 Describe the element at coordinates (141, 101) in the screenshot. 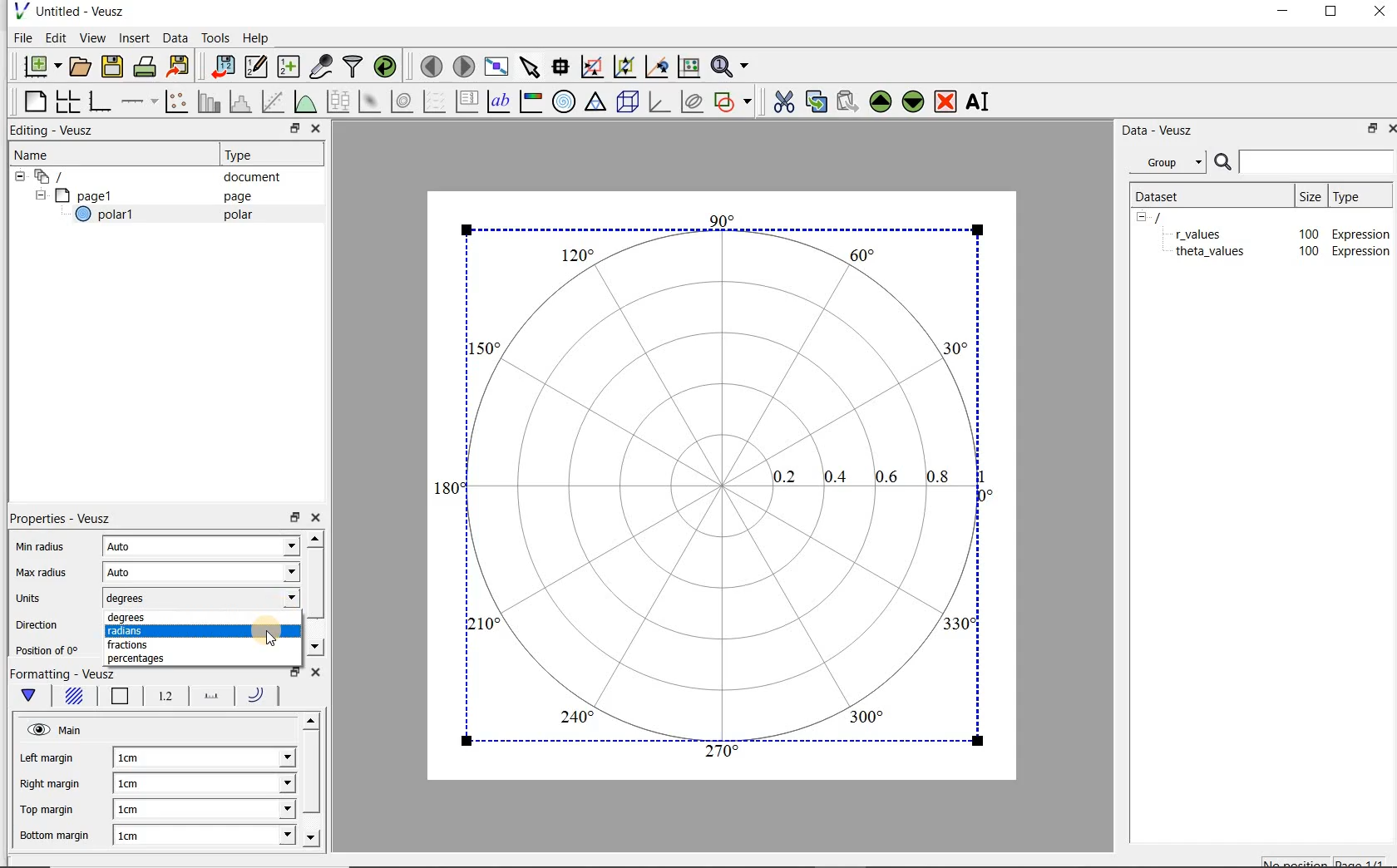

I see `add an axis to a plot` at that location.